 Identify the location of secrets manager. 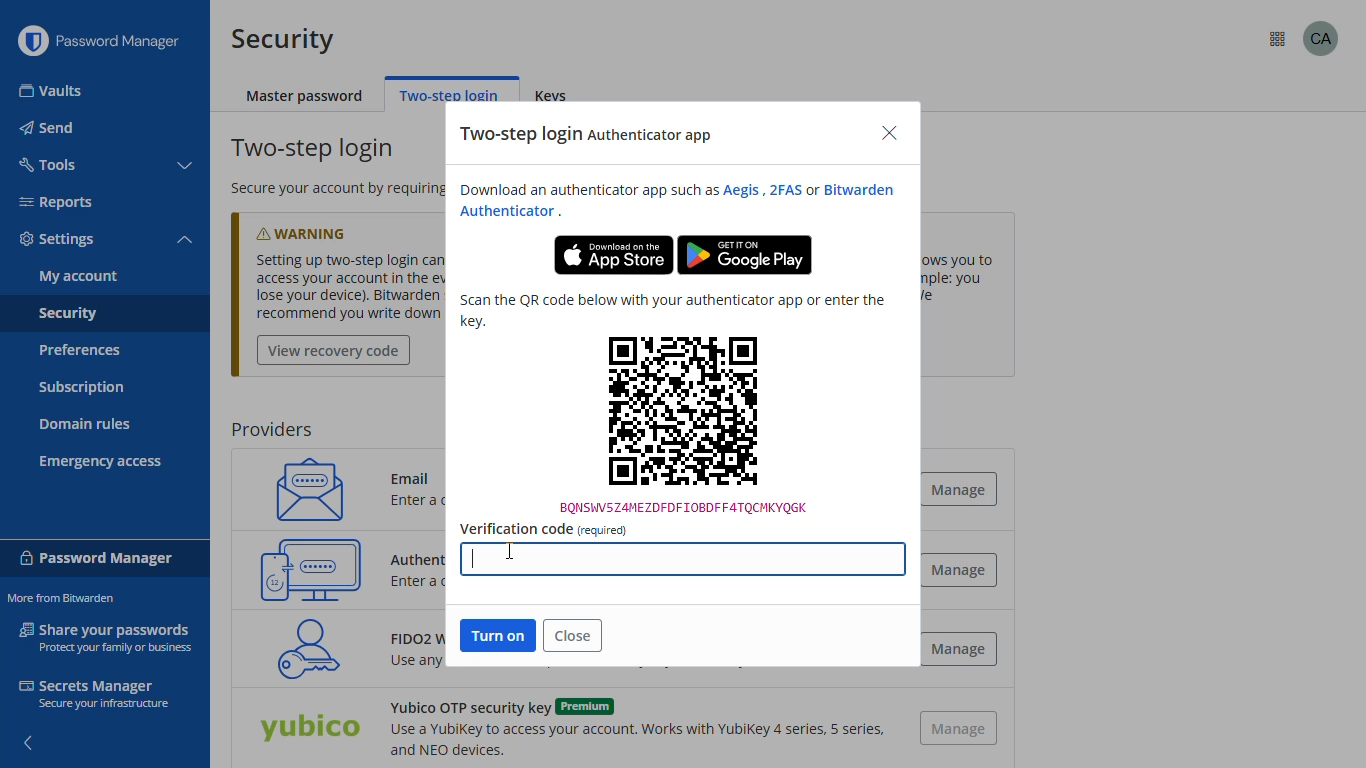
(93, 693).